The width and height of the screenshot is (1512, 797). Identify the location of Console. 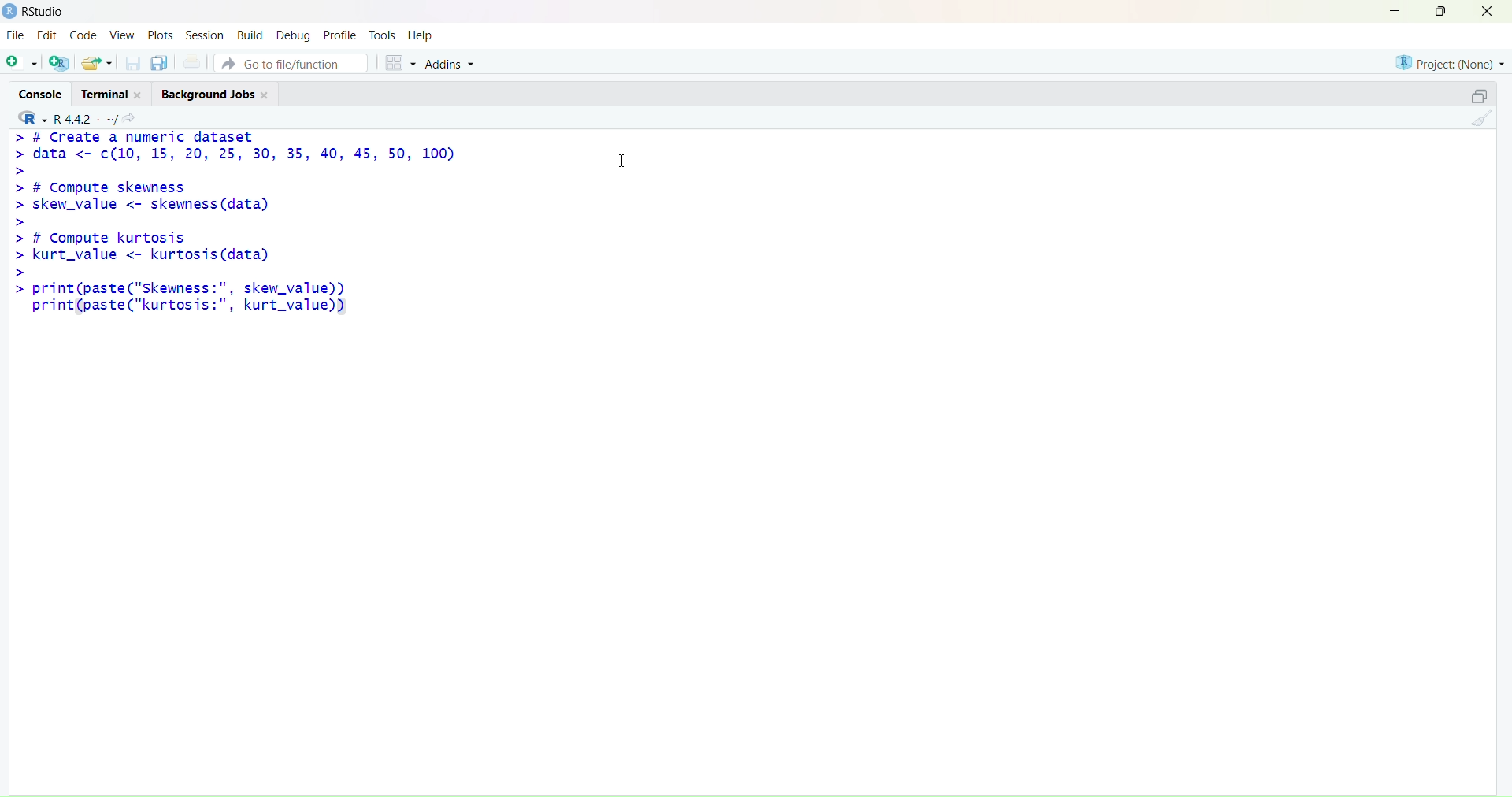
(40, 94).